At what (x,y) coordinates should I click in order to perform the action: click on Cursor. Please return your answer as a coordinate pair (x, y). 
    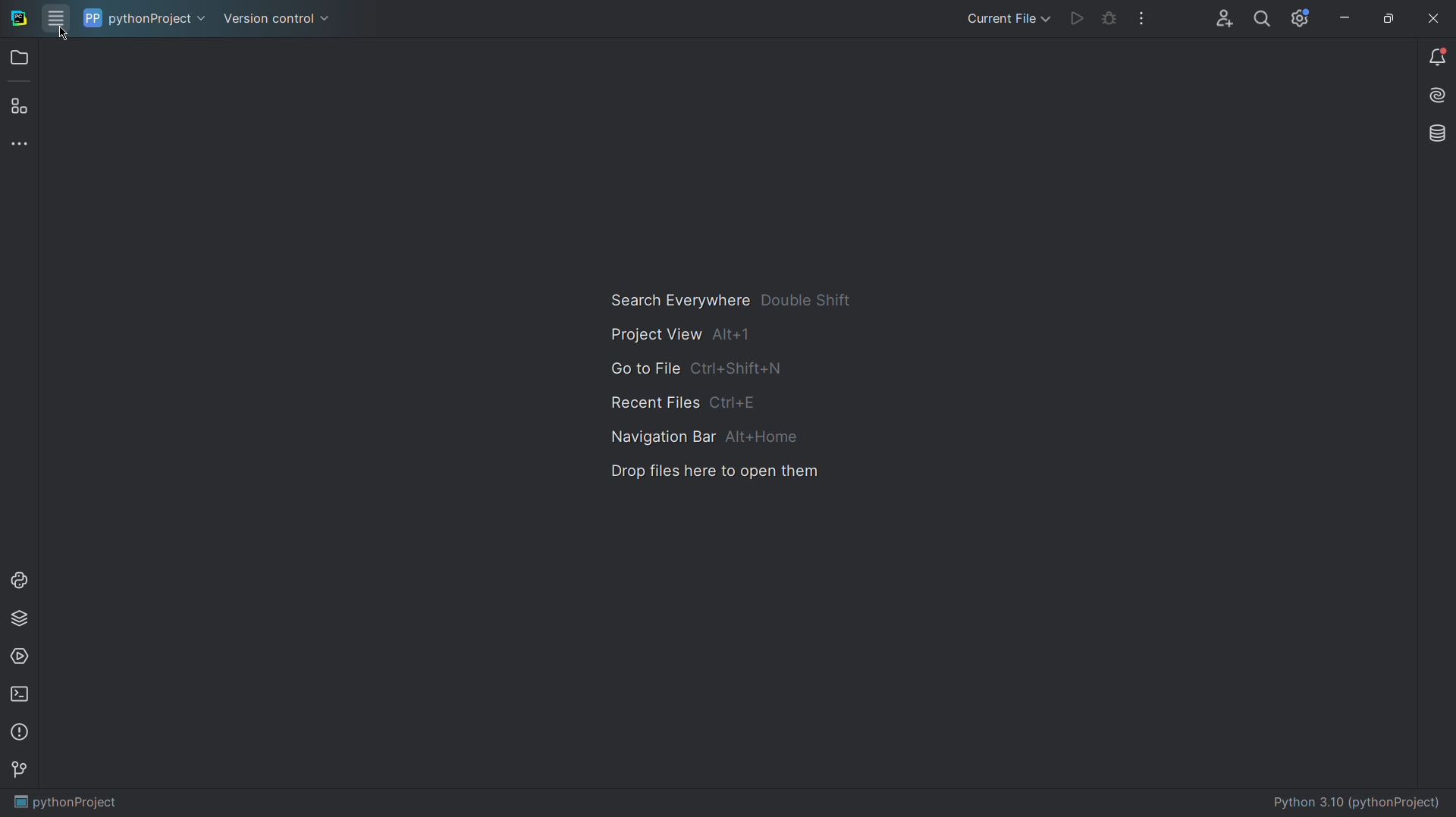
    Looking at the image, I should click on (65, 36).